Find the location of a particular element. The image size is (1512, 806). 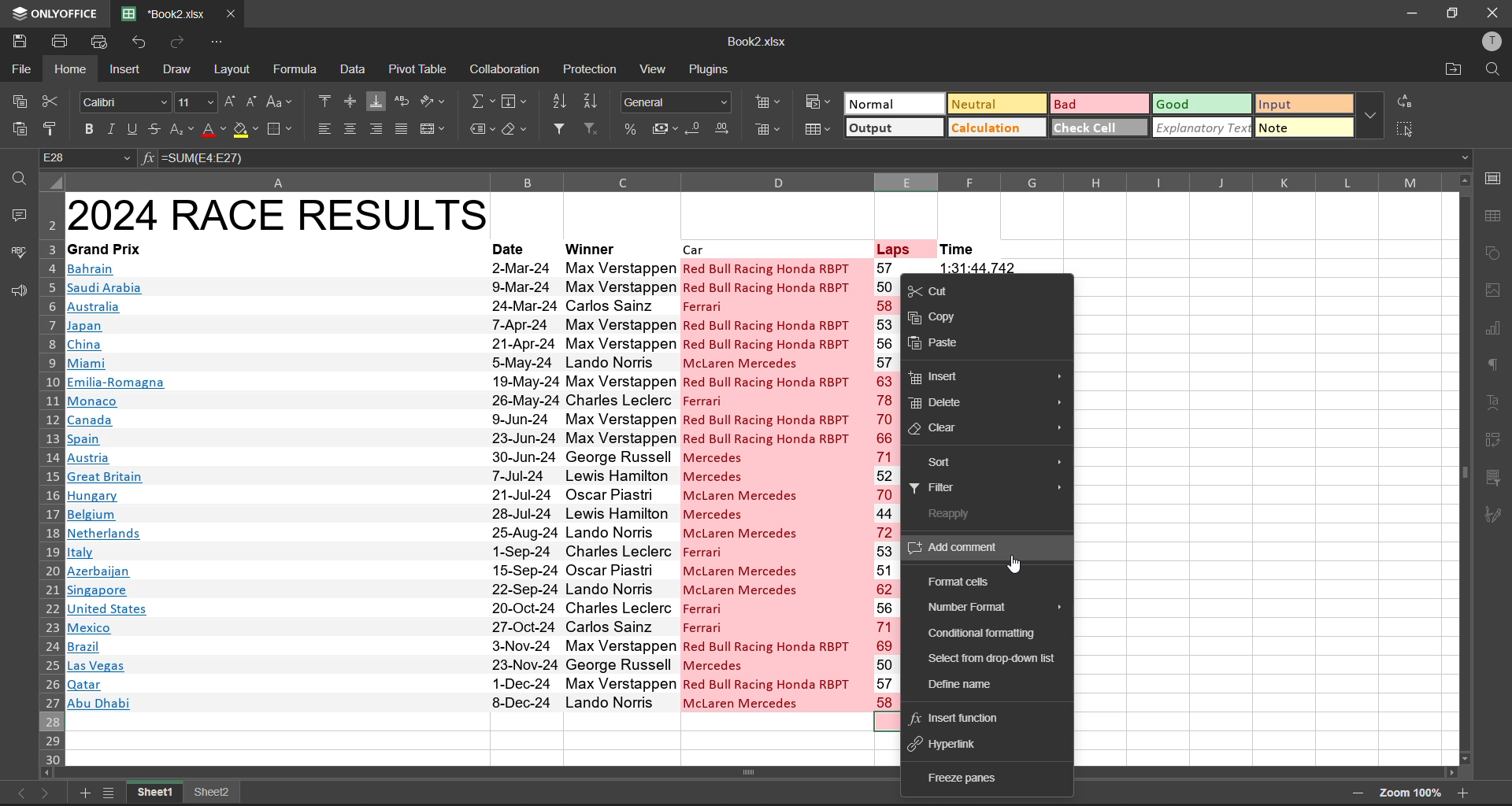

winner is located at coordinates (591, 250).